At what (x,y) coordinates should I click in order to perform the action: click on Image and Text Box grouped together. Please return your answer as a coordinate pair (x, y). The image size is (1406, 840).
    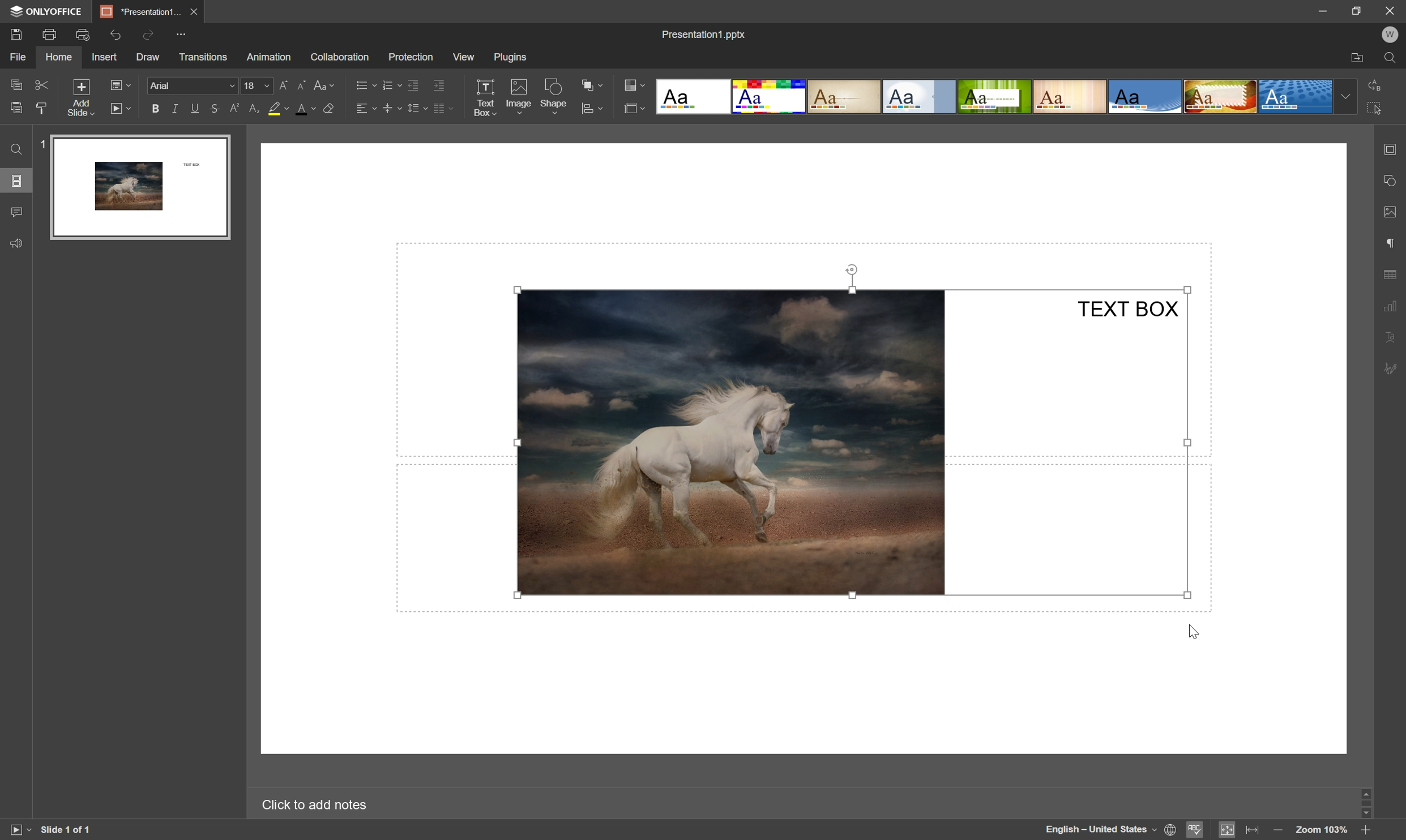
    Looking at the image, I should click on (810, 440).